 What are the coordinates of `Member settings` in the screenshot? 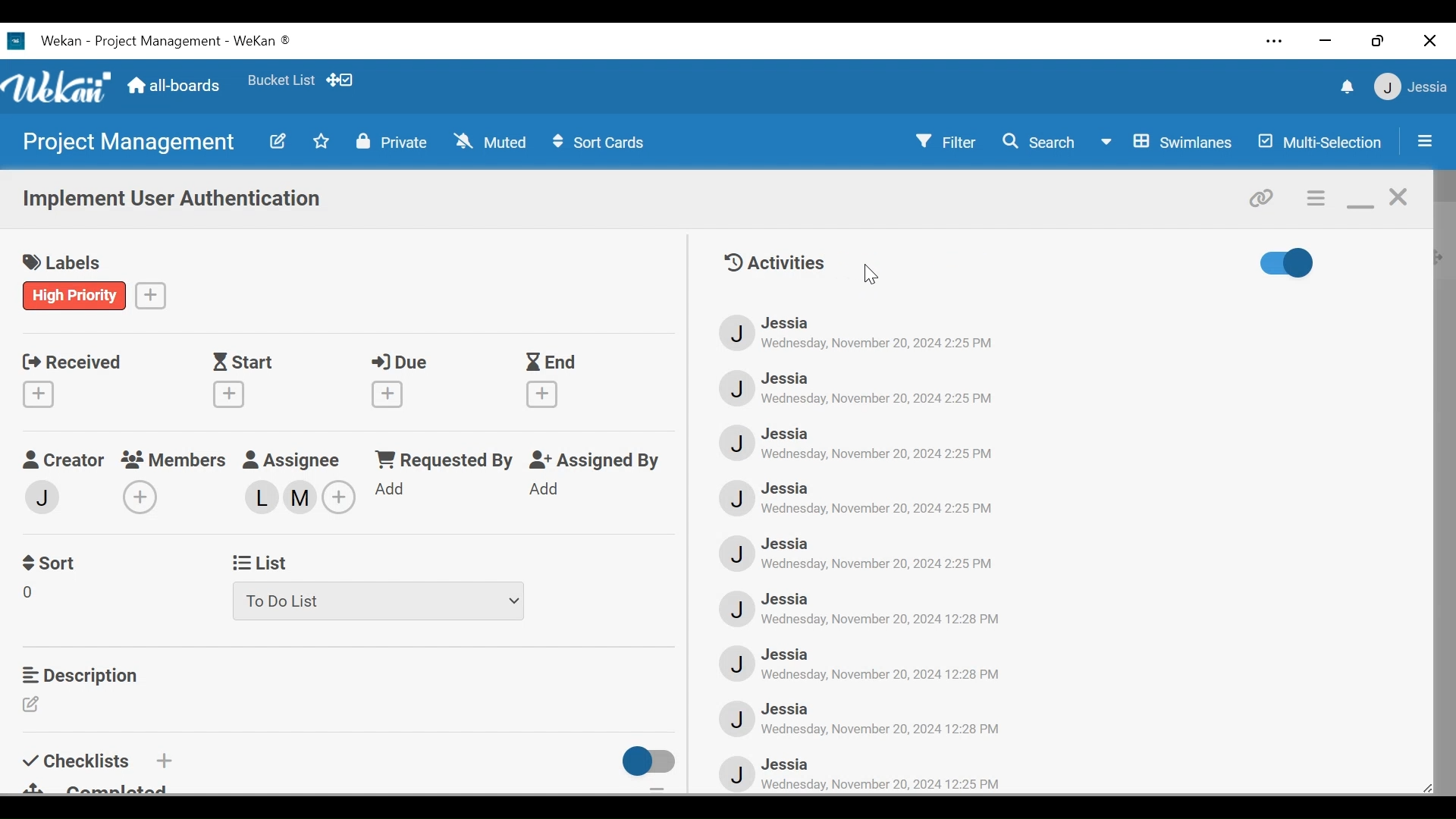 It's located at (1407, 87).